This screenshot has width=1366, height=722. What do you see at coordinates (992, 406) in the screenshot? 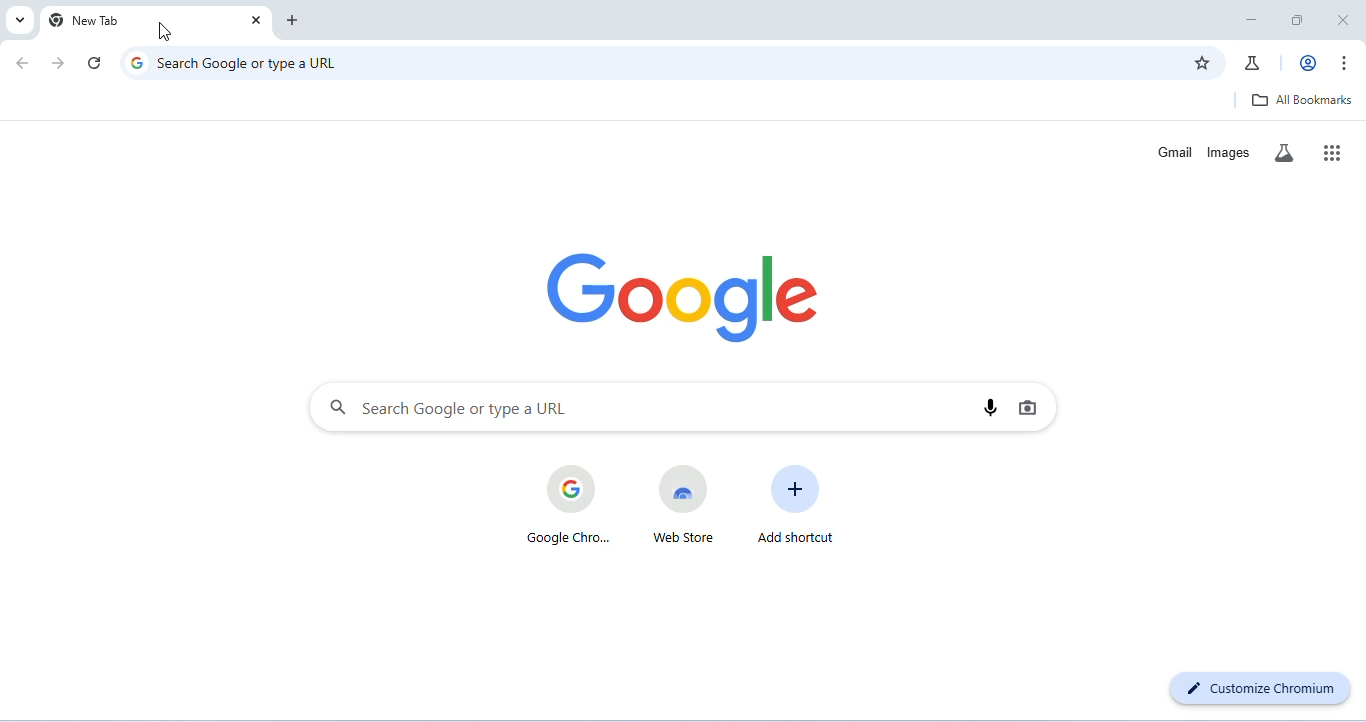
I see `voice search` at bounding box center [992, 406].